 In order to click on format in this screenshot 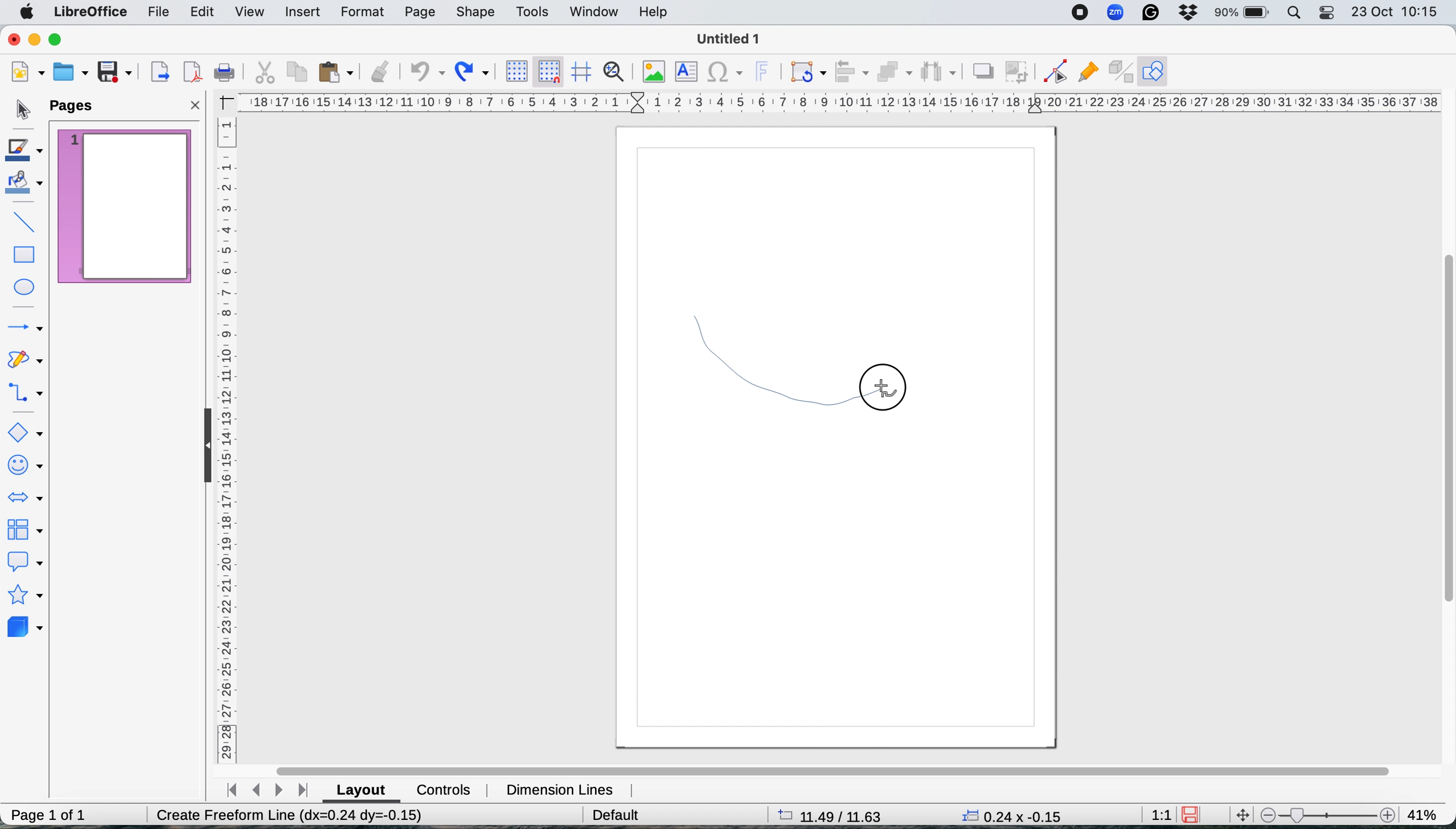, I will do `click(363, 12)`.